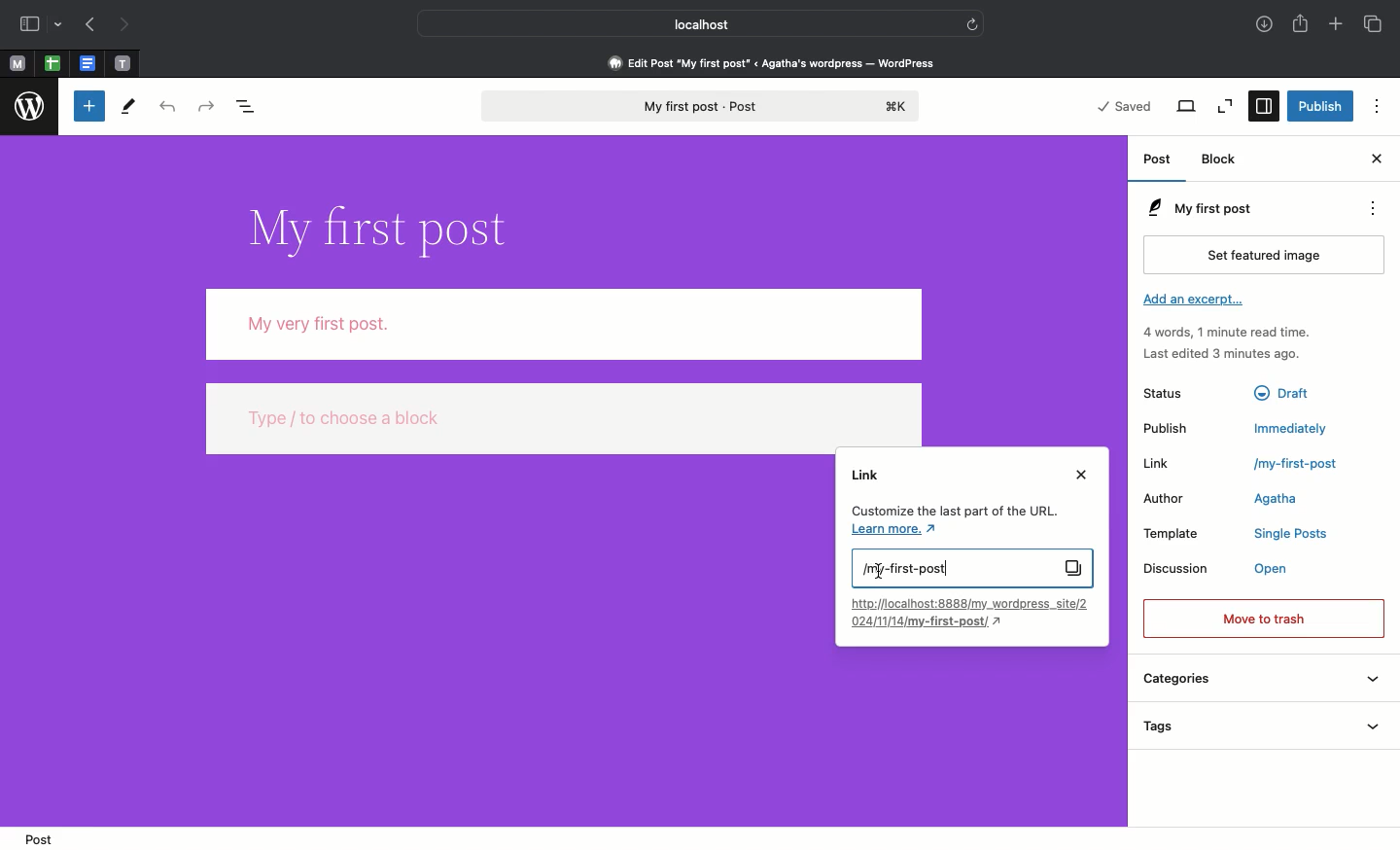  Describe the element at coordinates (971, 614) in the screenshot. I see `Link` at that location.